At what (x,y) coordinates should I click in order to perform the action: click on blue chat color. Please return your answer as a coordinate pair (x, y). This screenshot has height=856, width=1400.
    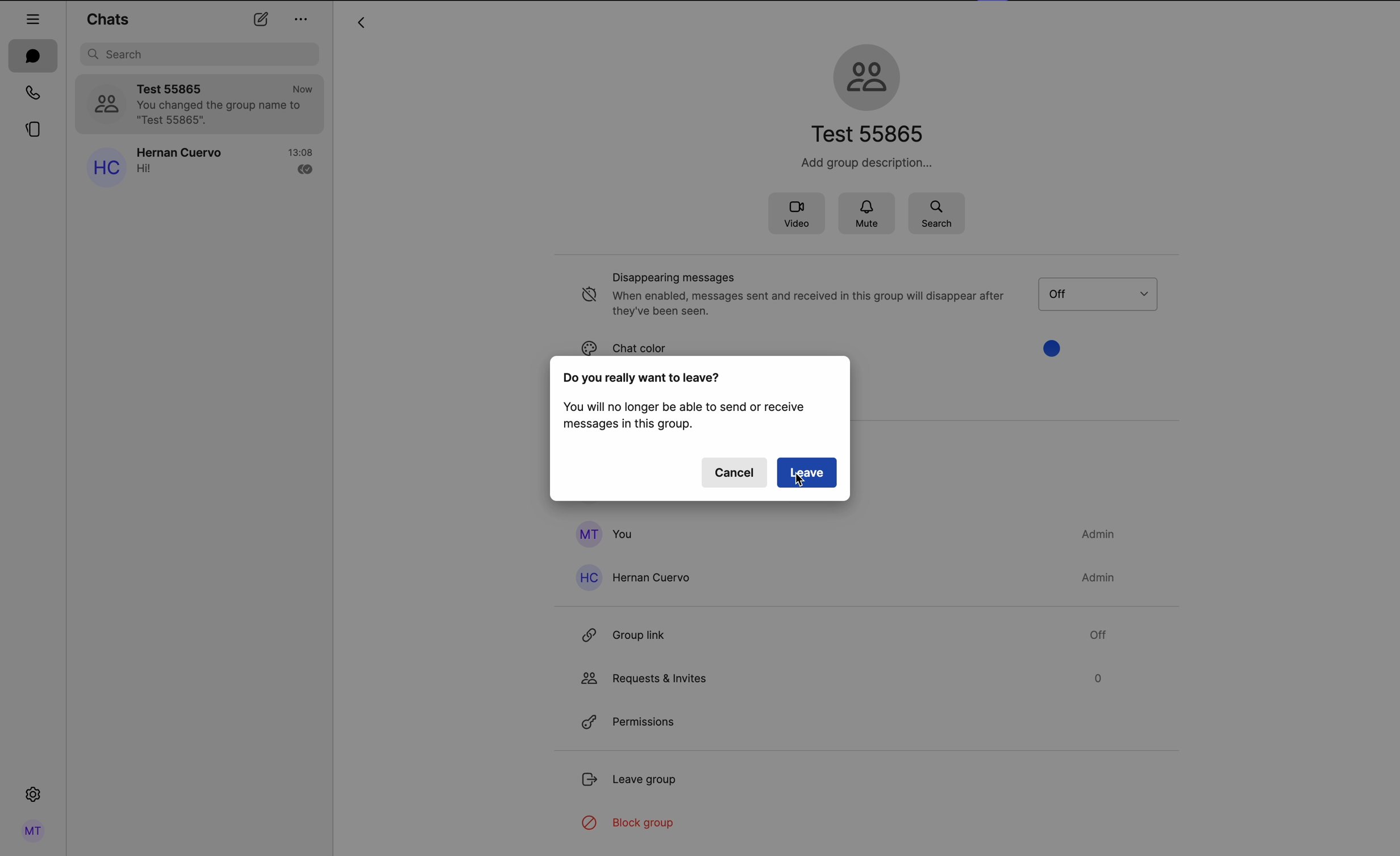
    Looking at the image, I should click on (769, 342).